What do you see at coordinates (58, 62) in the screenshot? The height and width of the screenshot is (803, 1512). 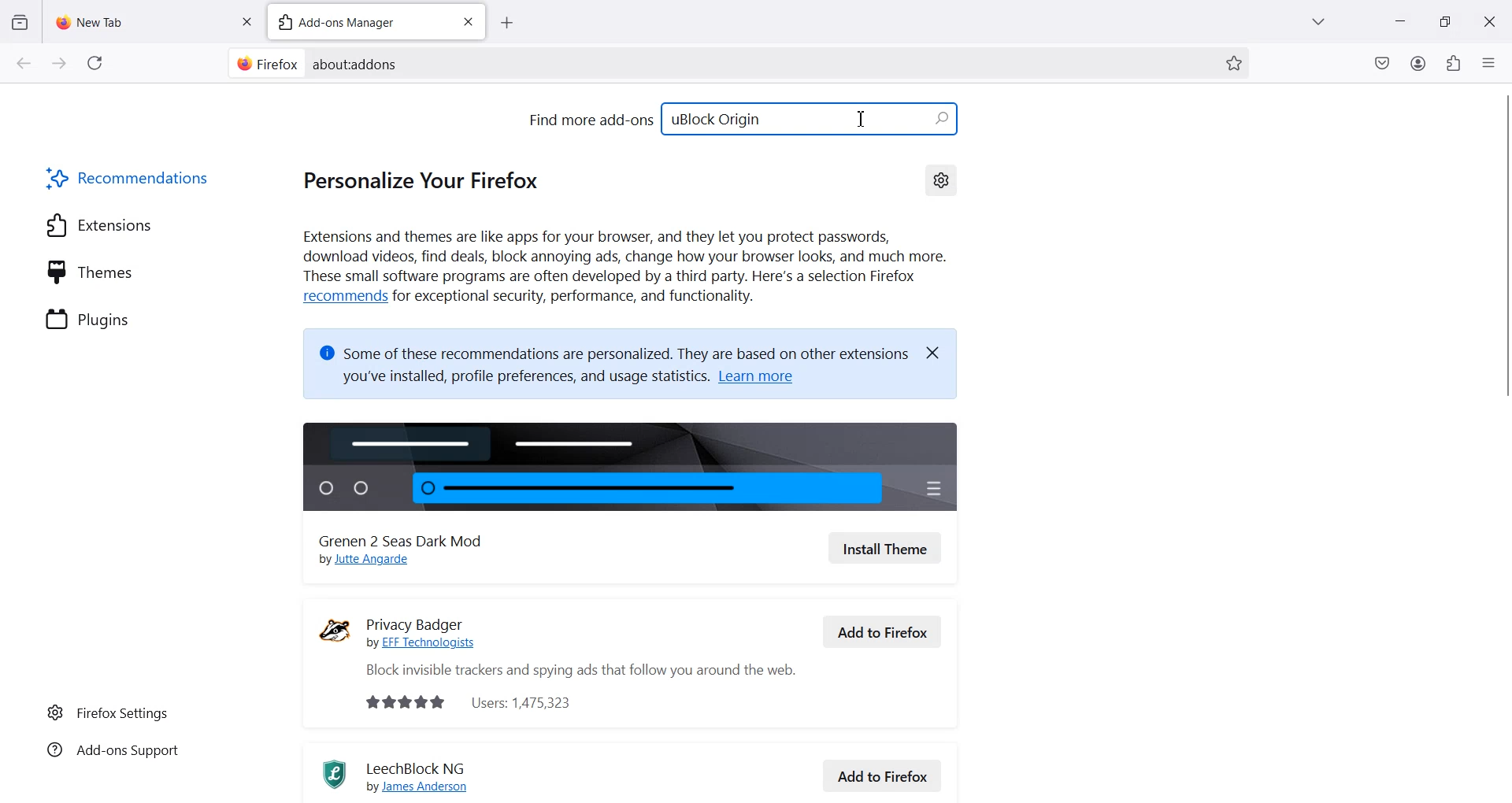 I see `Go forward to one page` at bounding box center [58, 62].